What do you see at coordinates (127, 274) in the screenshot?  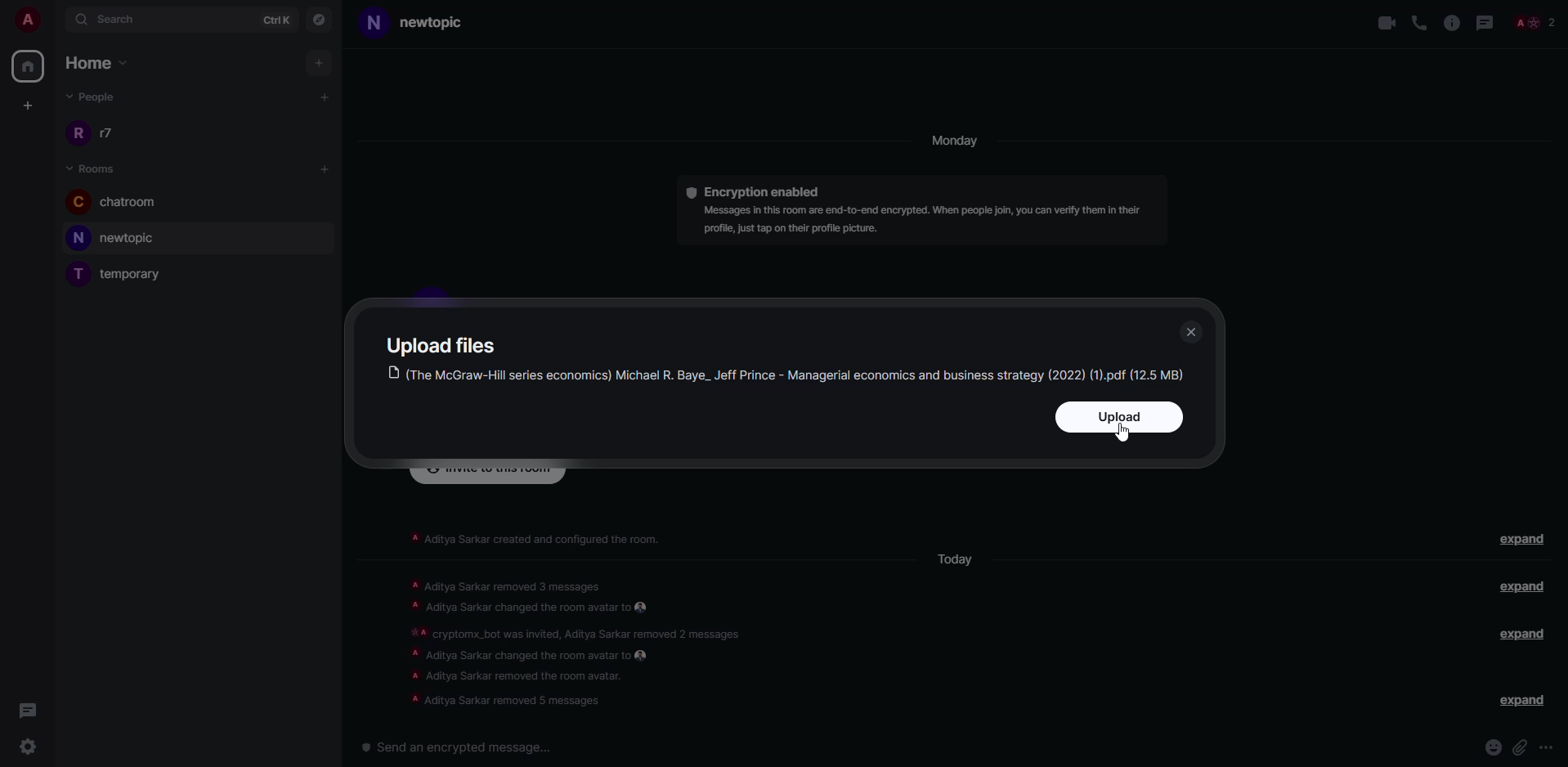 I see `room` at bounding box center [127, 274].